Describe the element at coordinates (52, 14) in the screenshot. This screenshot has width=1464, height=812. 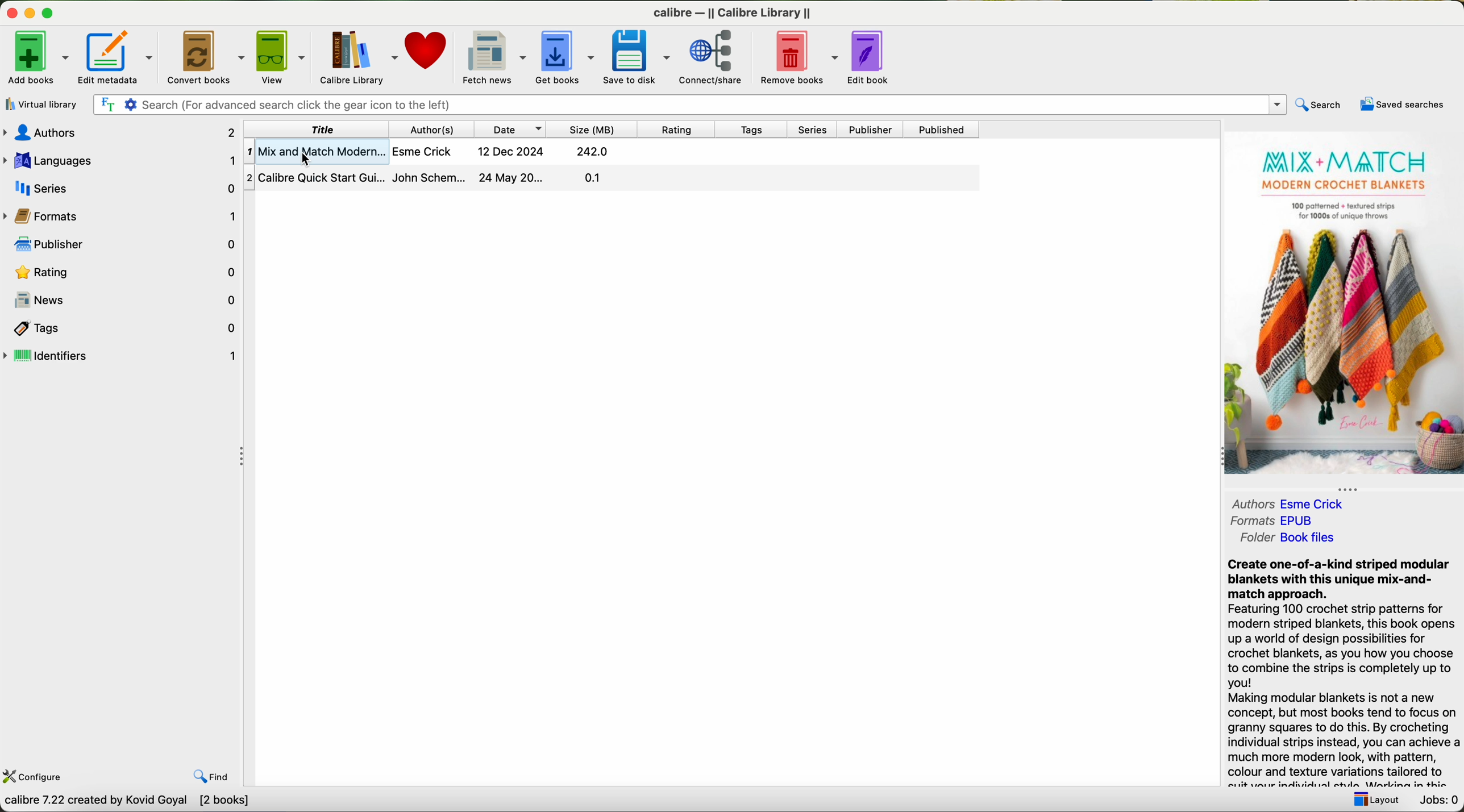
I see `maximize` at that location.